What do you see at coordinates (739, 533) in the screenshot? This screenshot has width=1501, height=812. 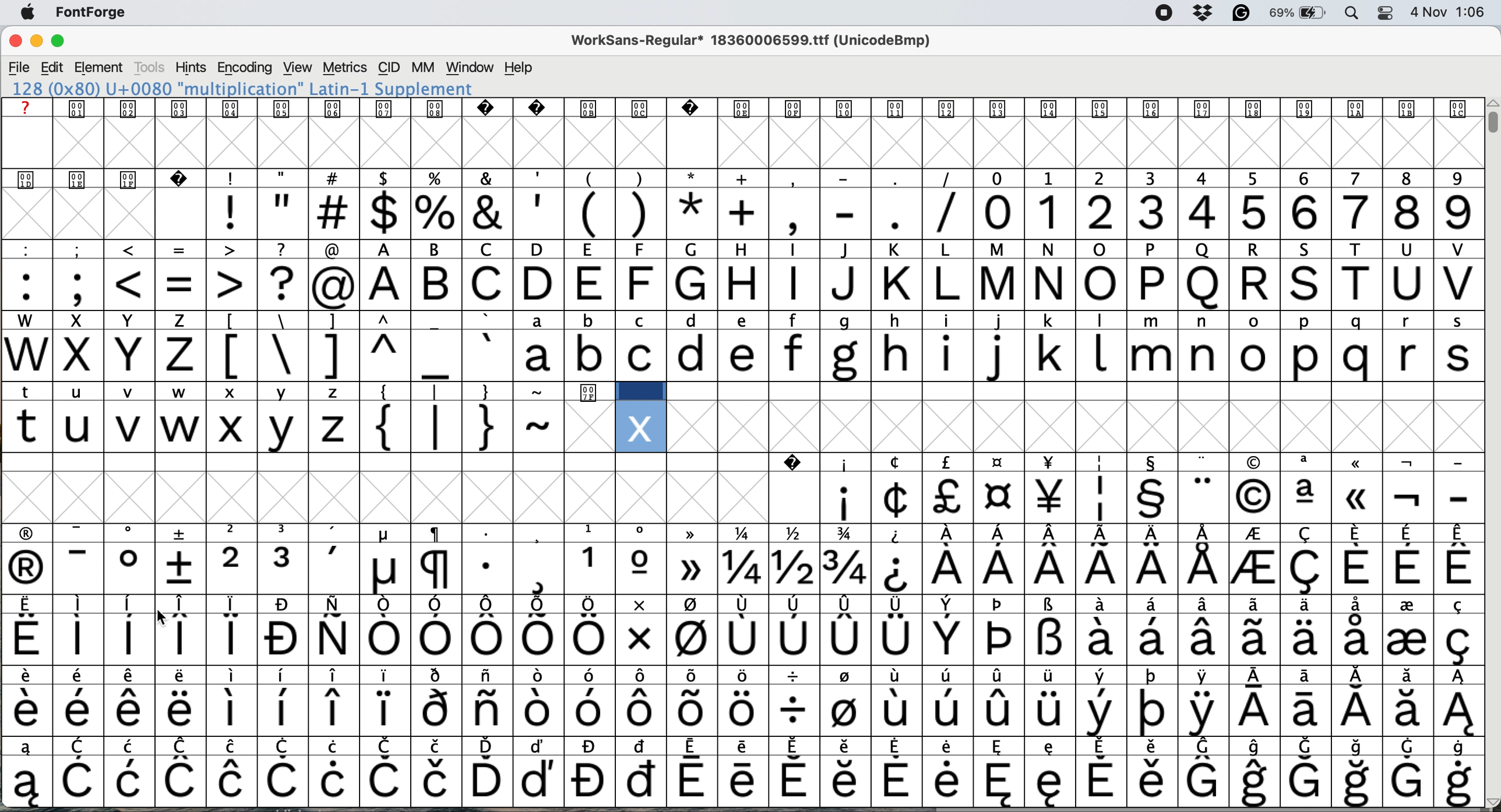 I see `special characters` at bounding box center [739, 533].